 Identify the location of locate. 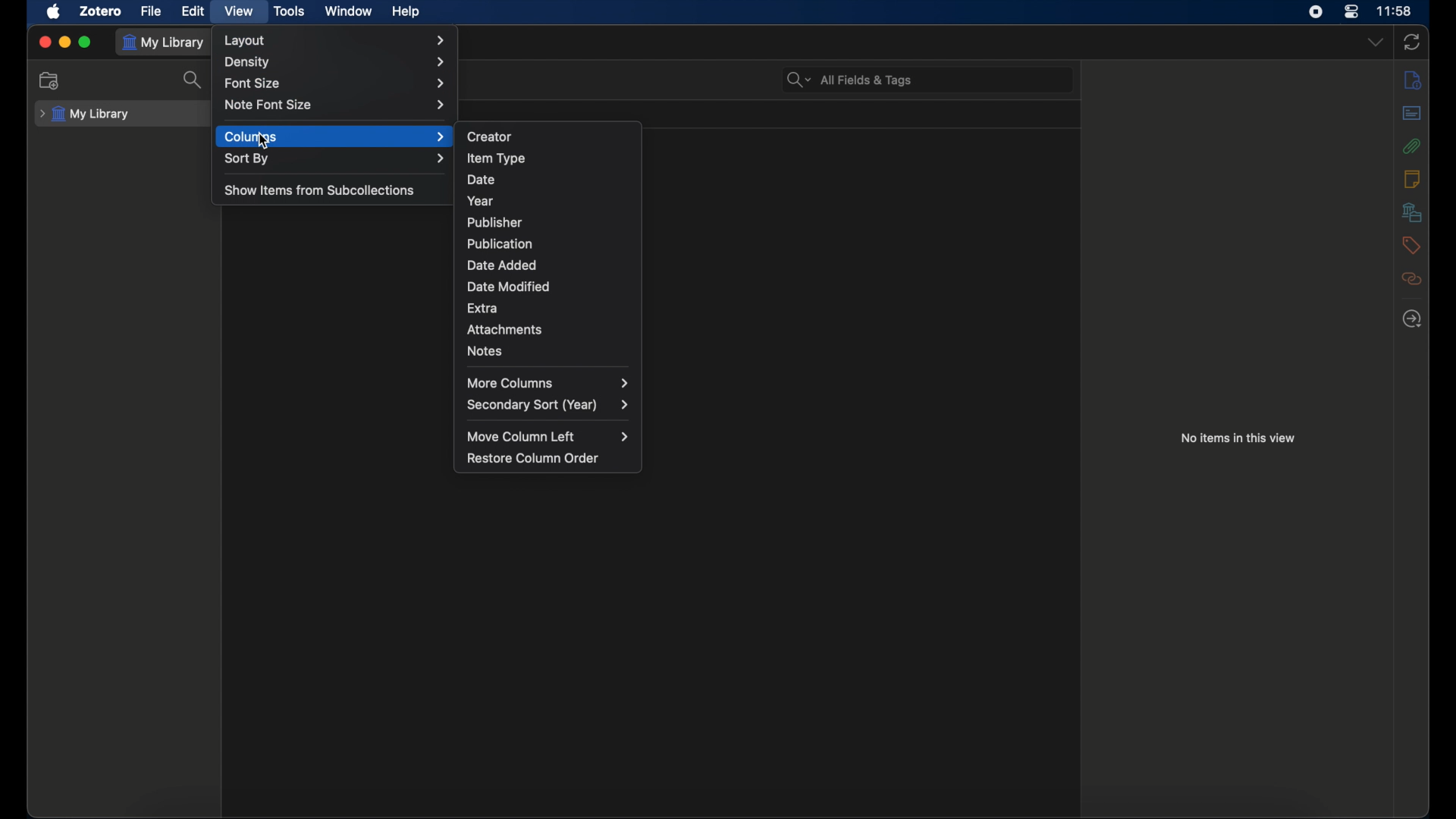
(1411, 319).